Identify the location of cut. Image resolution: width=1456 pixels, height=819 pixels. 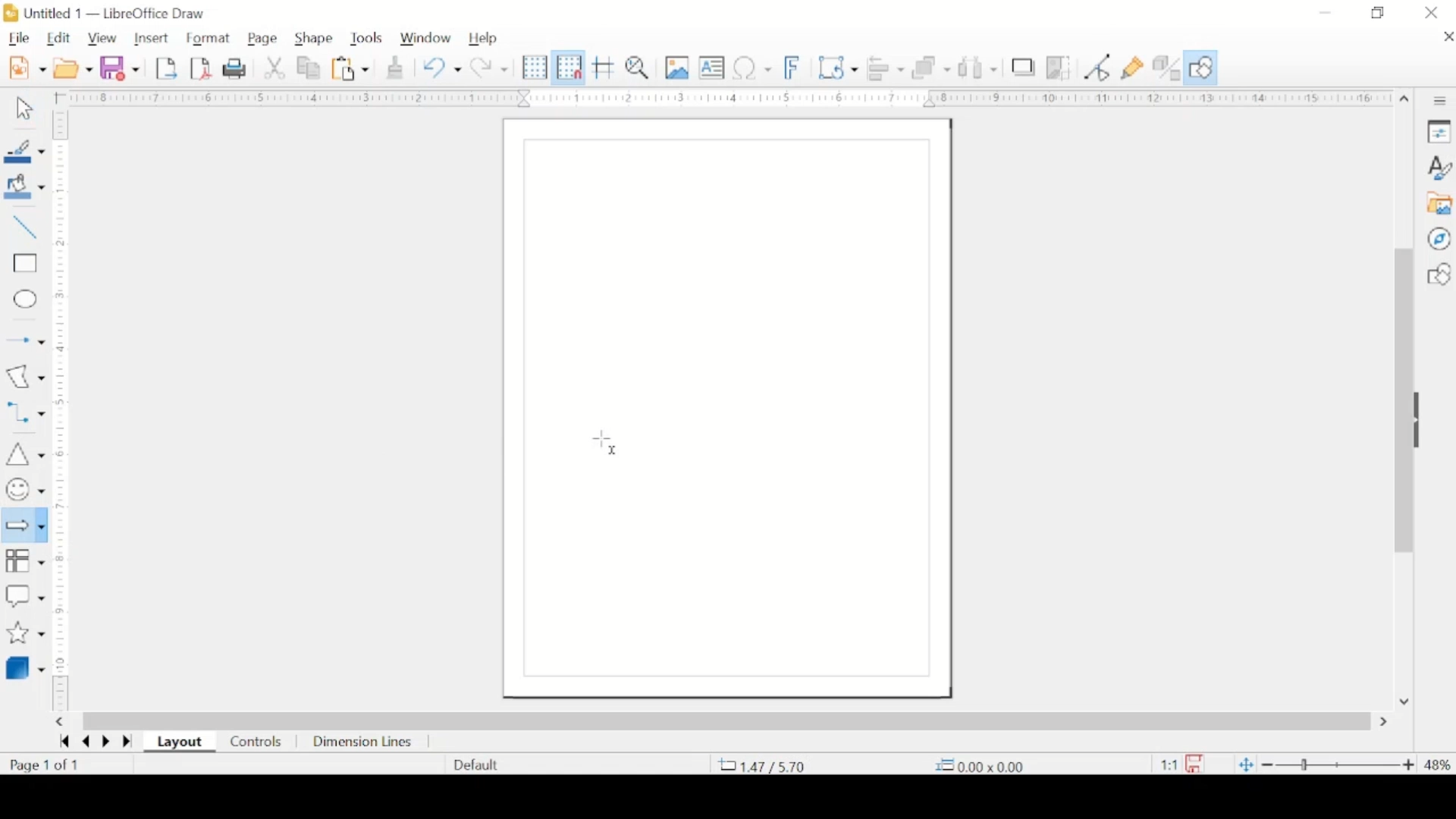
(275, 67).